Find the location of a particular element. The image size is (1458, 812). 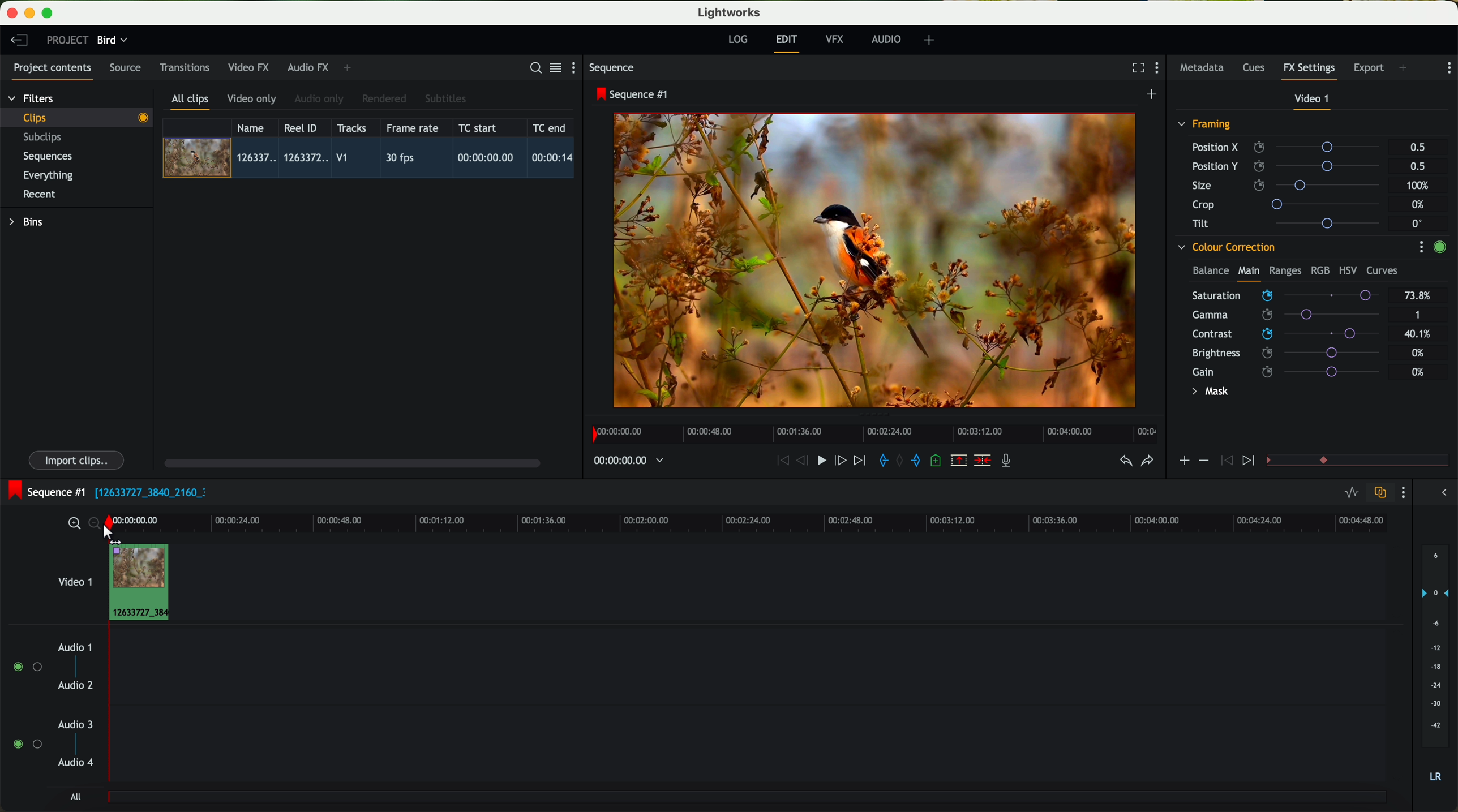

show settings menu is located at coordinates (1421, 247).